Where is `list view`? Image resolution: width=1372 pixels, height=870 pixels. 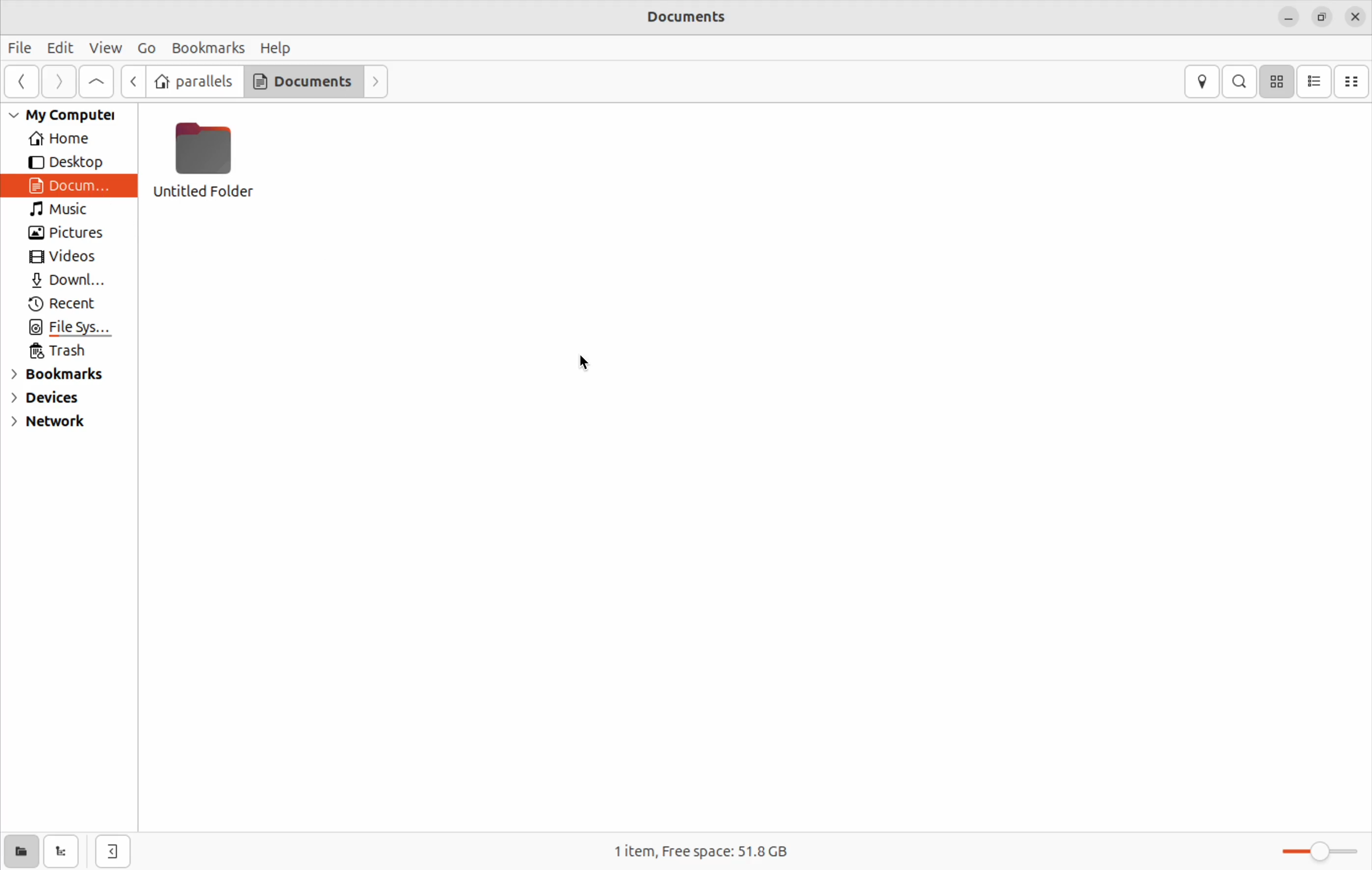
list view is located at coordinates (1314, 80).